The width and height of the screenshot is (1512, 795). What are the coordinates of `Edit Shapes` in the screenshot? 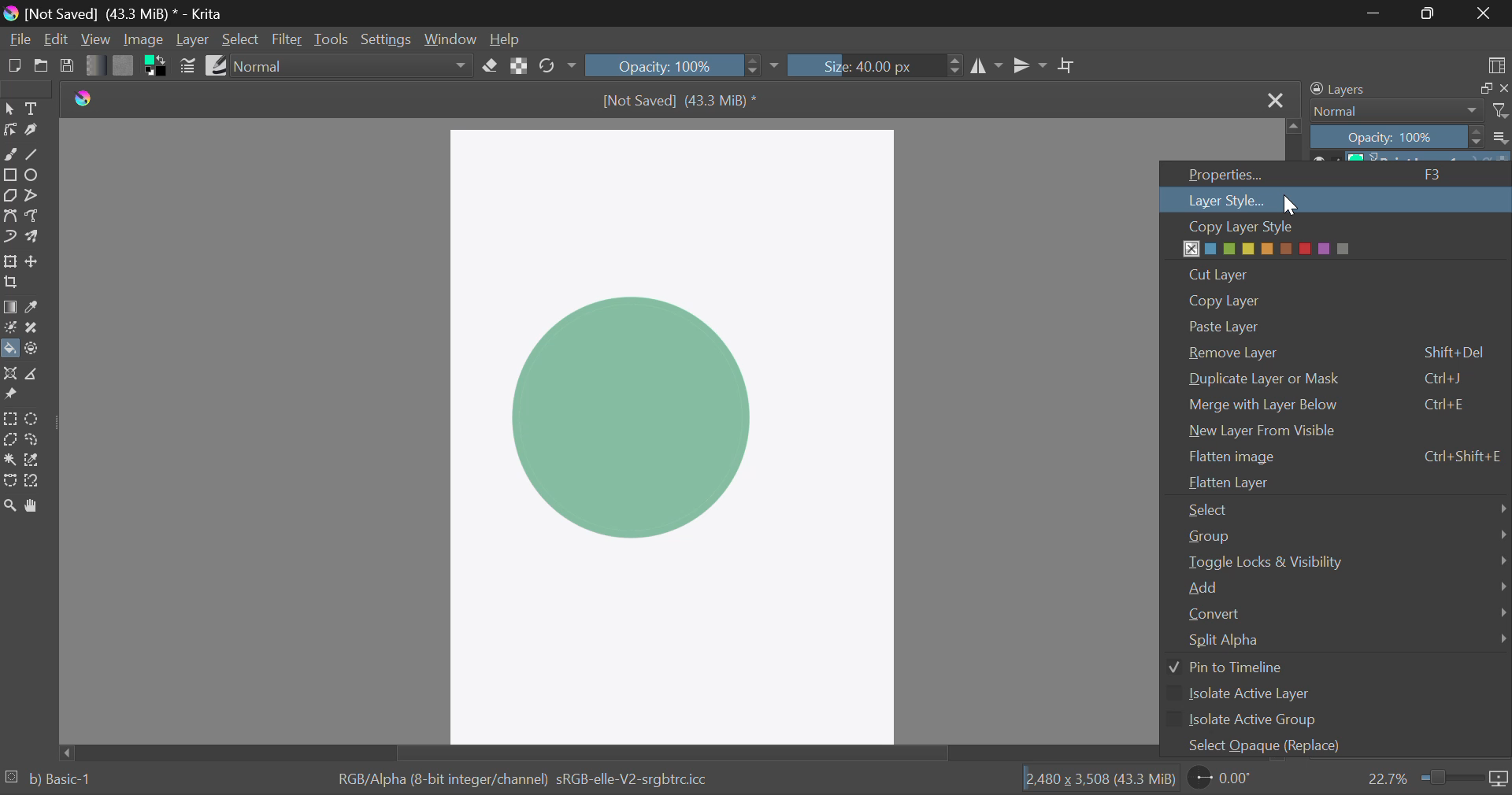 It's located at (9, 129).